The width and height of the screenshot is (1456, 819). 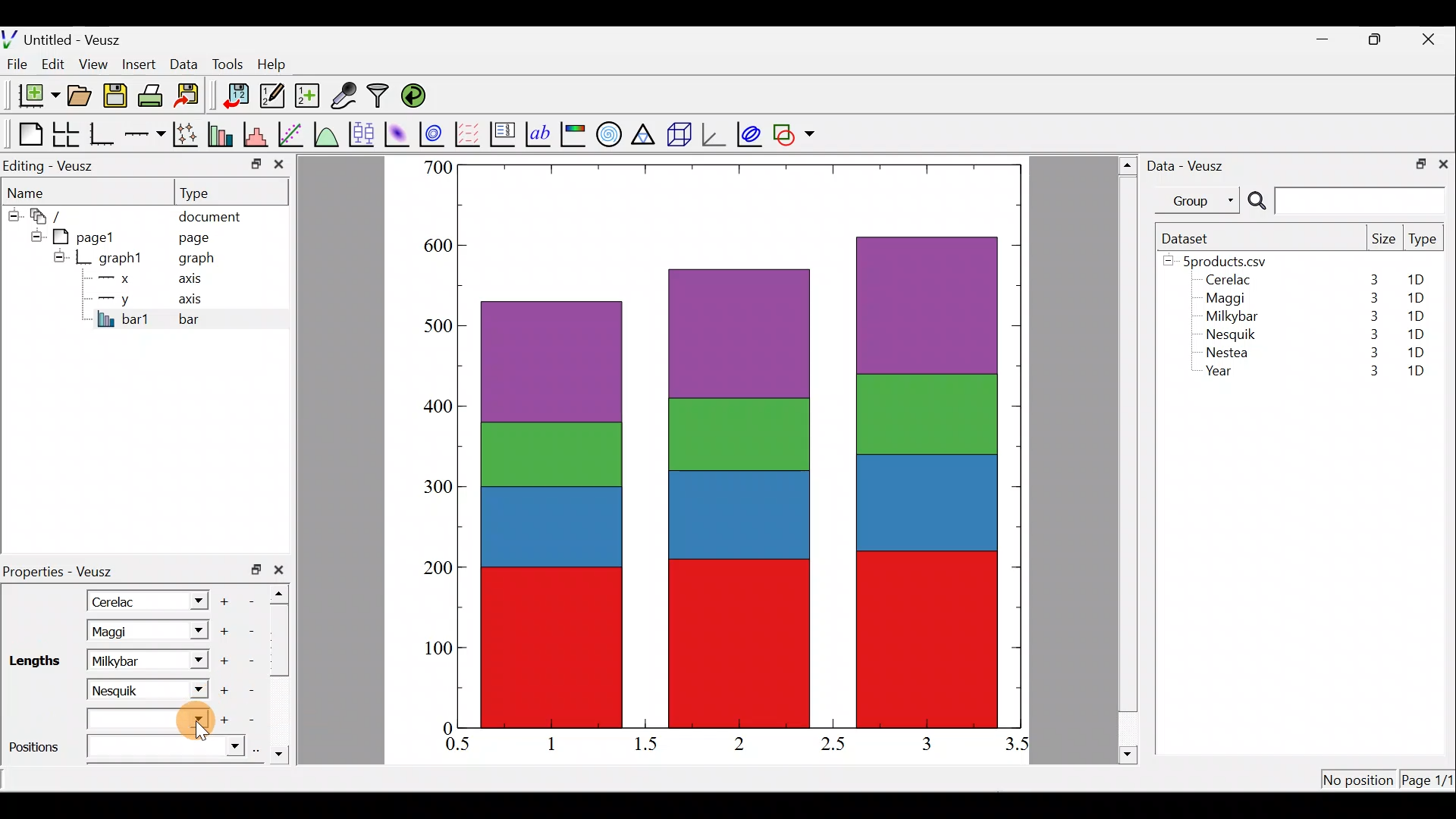 What do you see at coordinates (1370, 298) in the screenshot?
I see `3` at bounding box center [1370, 298].